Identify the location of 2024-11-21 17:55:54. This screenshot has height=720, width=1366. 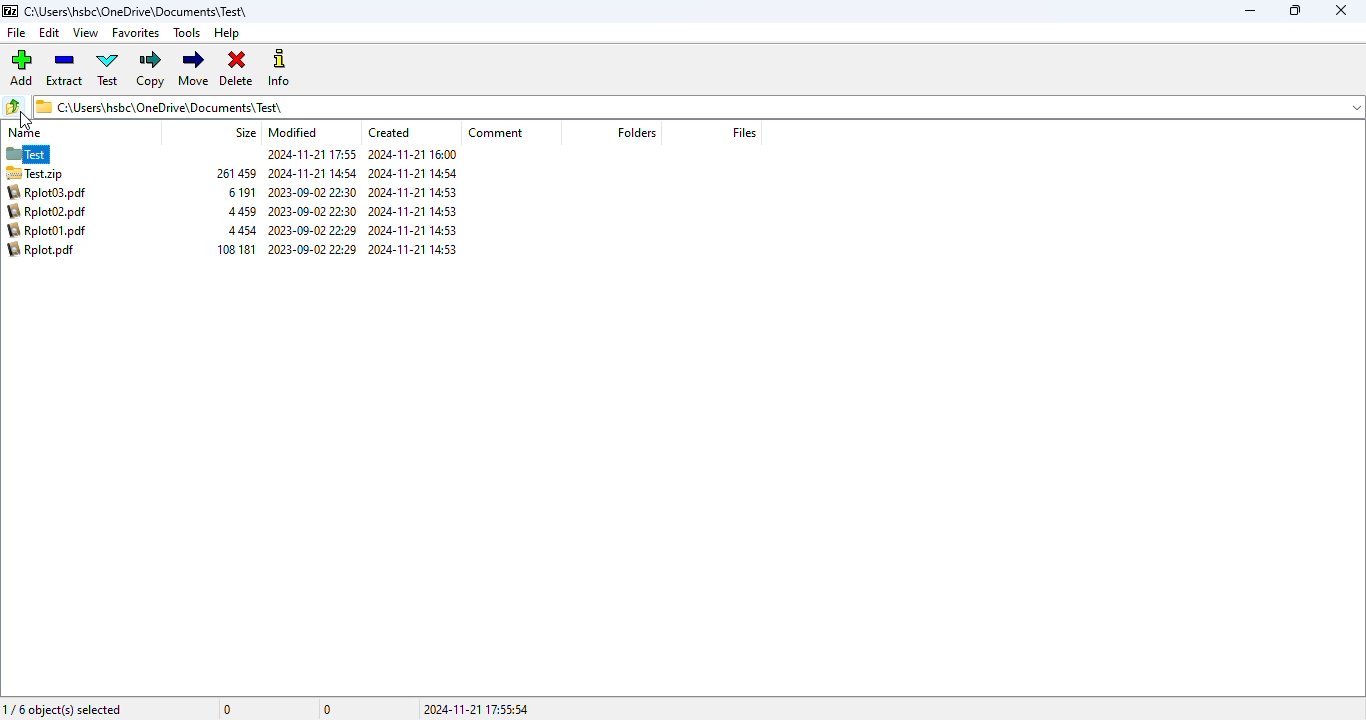
(476, 709).